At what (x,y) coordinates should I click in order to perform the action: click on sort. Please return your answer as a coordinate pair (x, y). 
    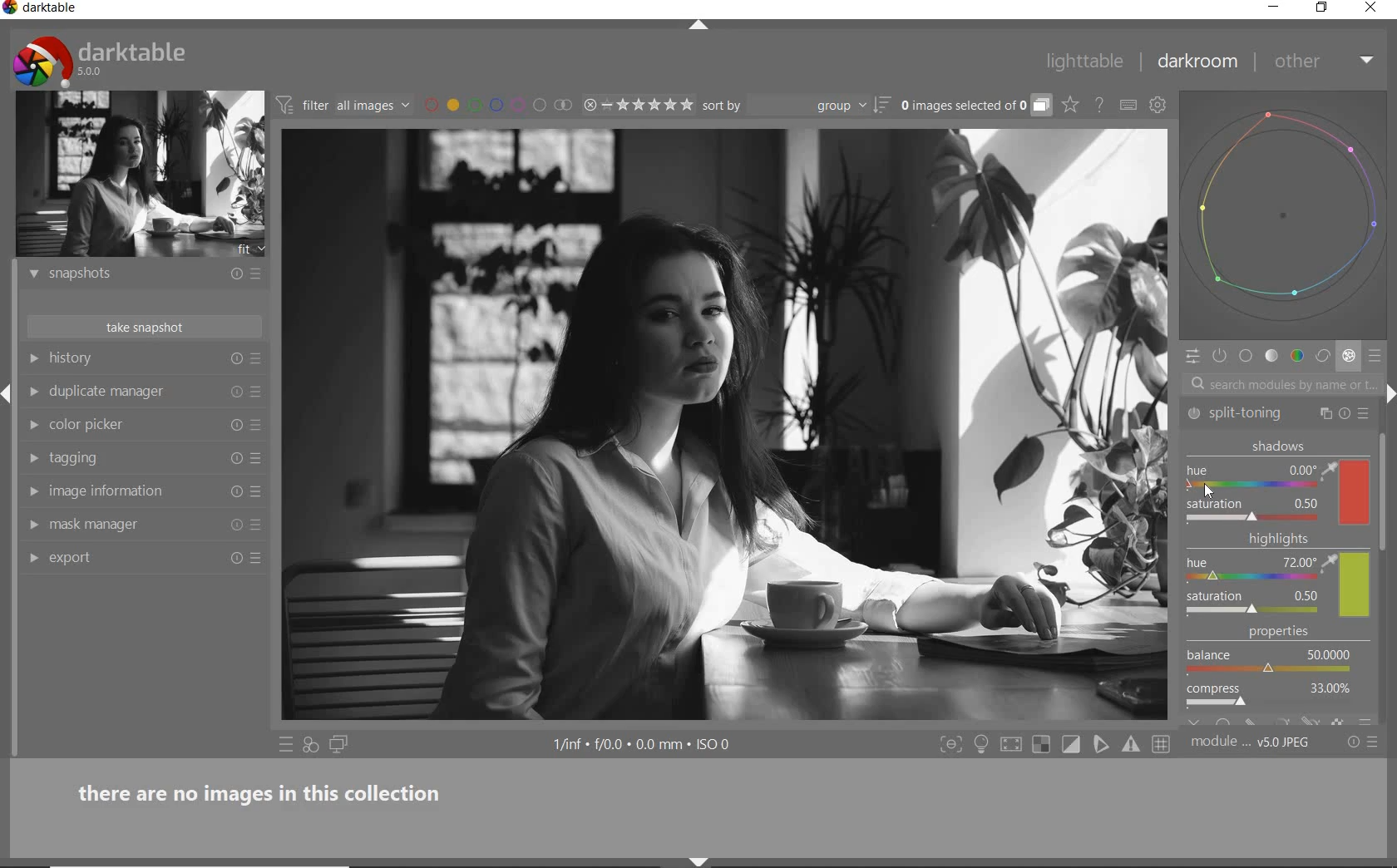
    Looking at the image, I should click on (795, 106).